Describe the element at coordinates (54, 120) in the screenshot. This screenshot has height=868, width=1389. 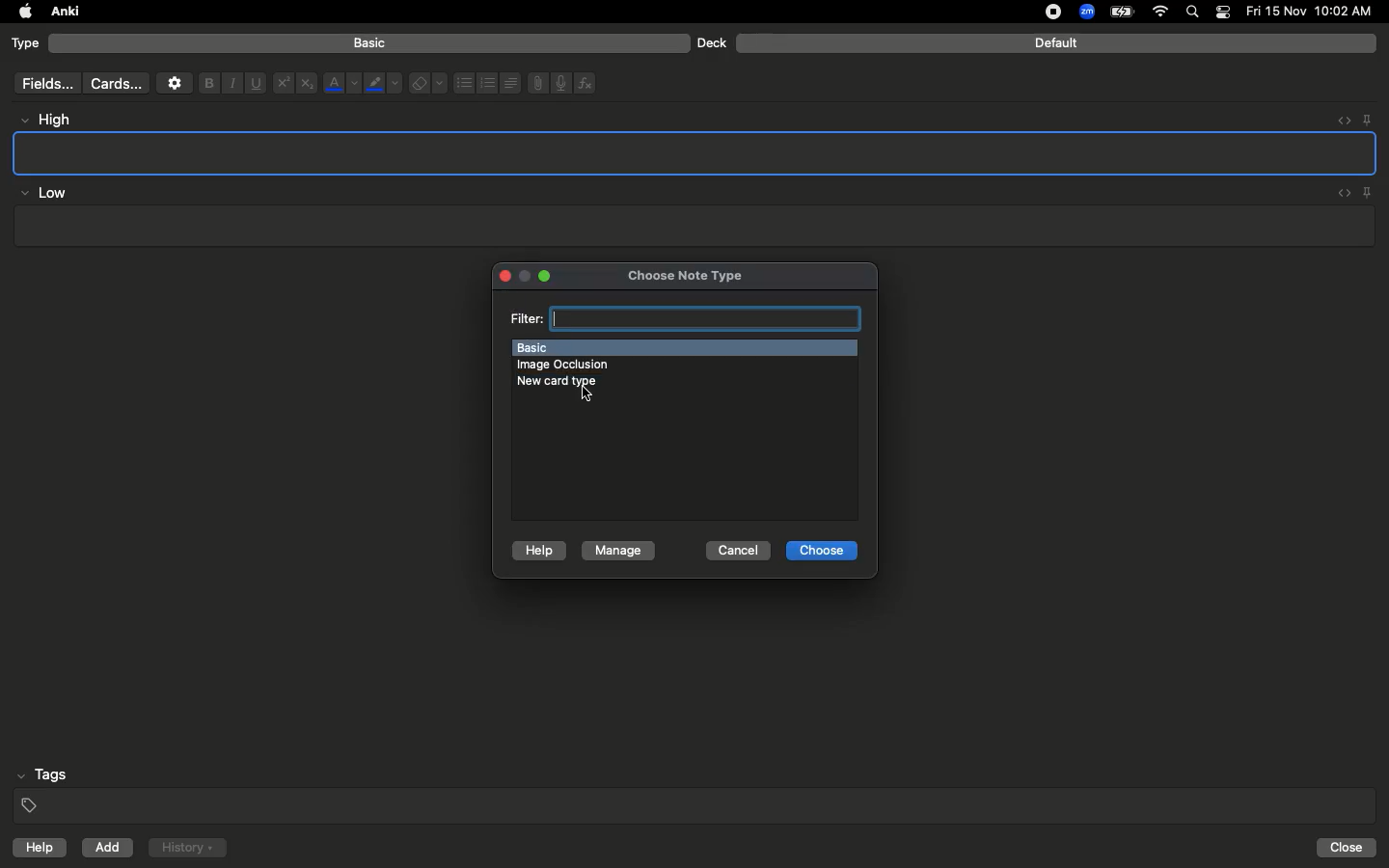
I see `High` at that location.